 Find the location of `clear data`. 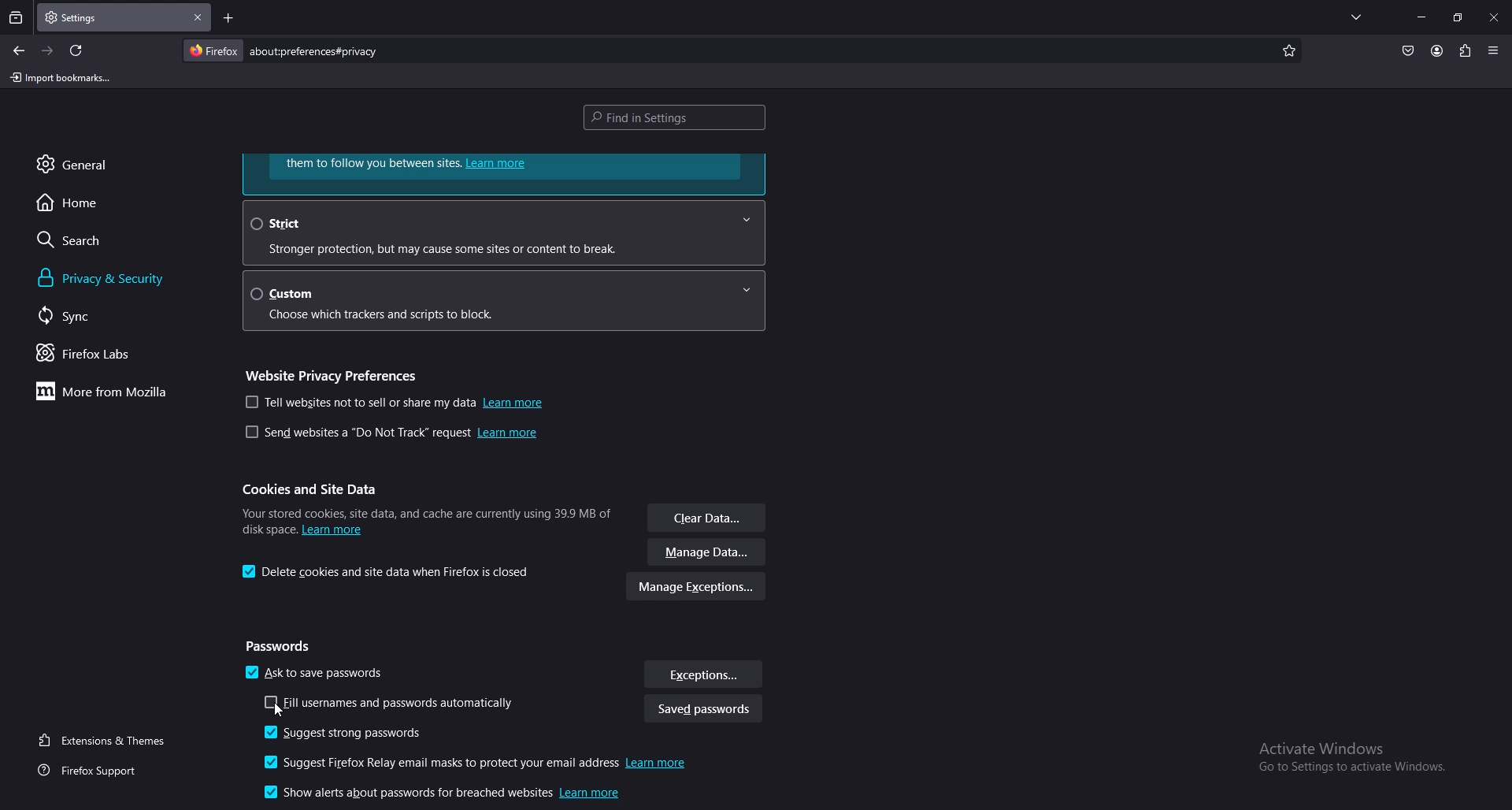

clear data is located at coordinates (708, 519).